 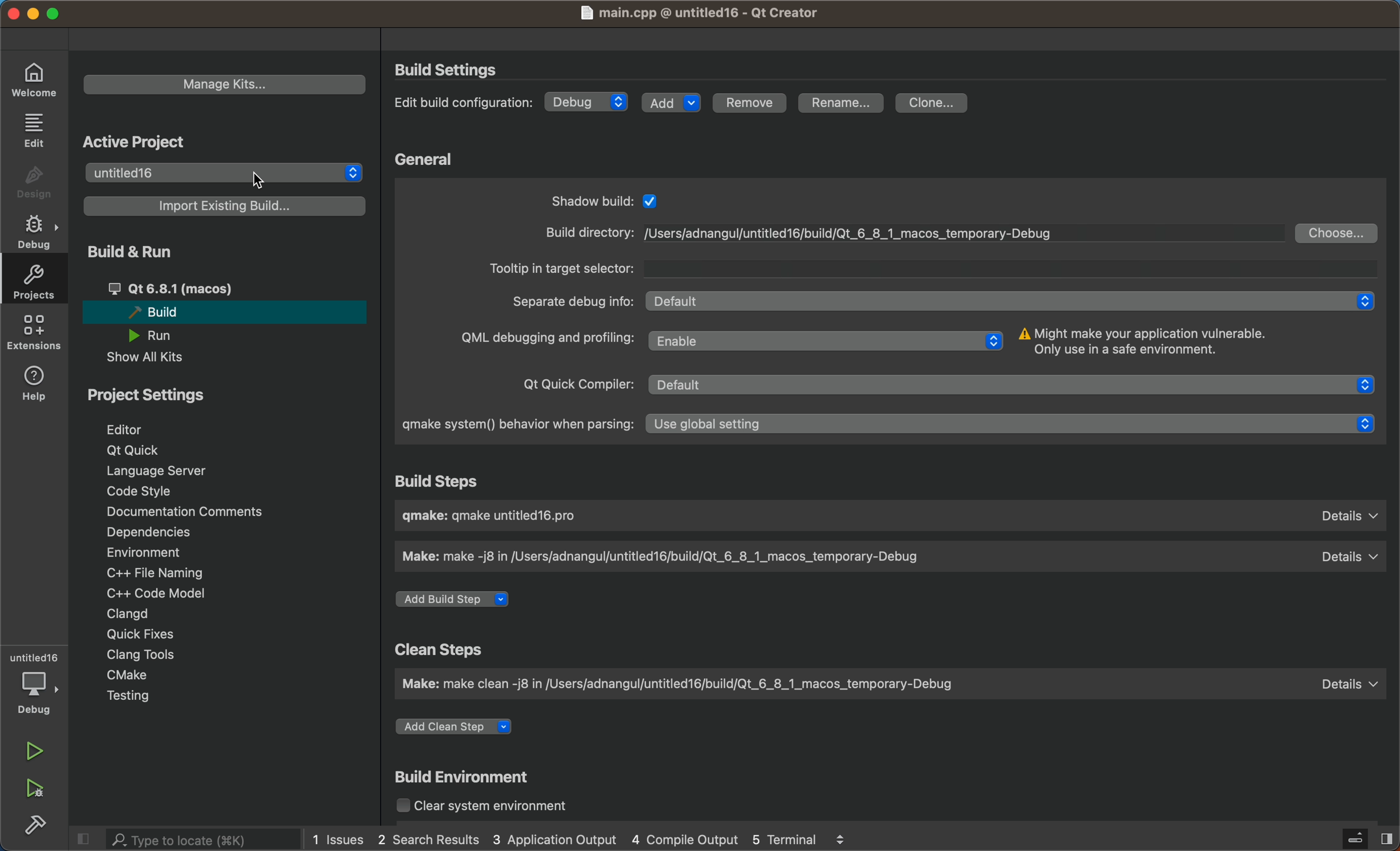 What do you see at coordinates (892, 516) in the screenshot?
I see `build step` at bounding box center [892, 516].